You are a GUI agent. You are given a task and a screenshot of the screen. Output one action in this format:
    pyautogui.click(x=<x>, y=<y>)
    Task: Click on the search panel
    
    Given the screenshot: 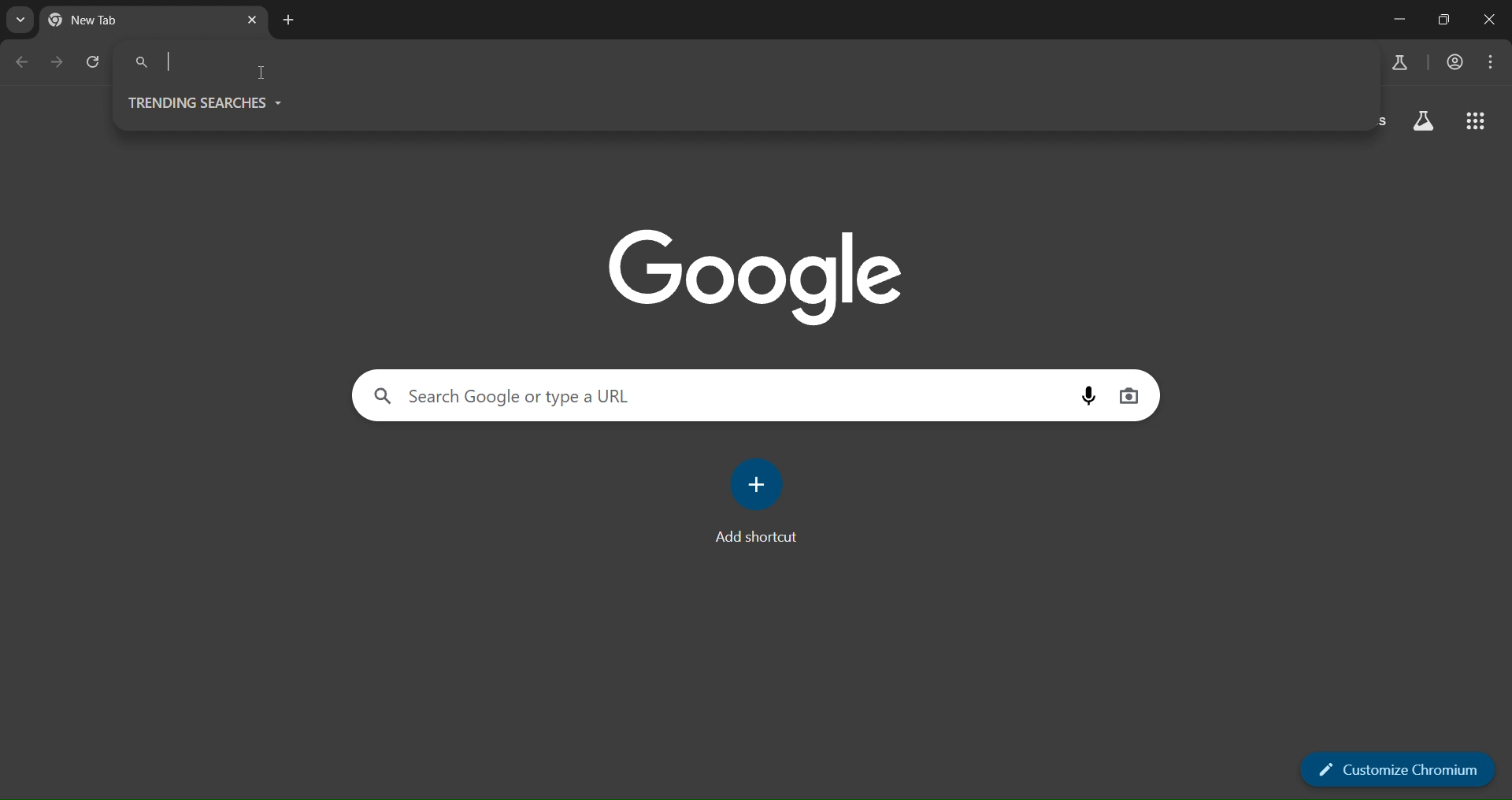 What is the action you would take?
    pyautogui.click(x=1398, y=64)
    